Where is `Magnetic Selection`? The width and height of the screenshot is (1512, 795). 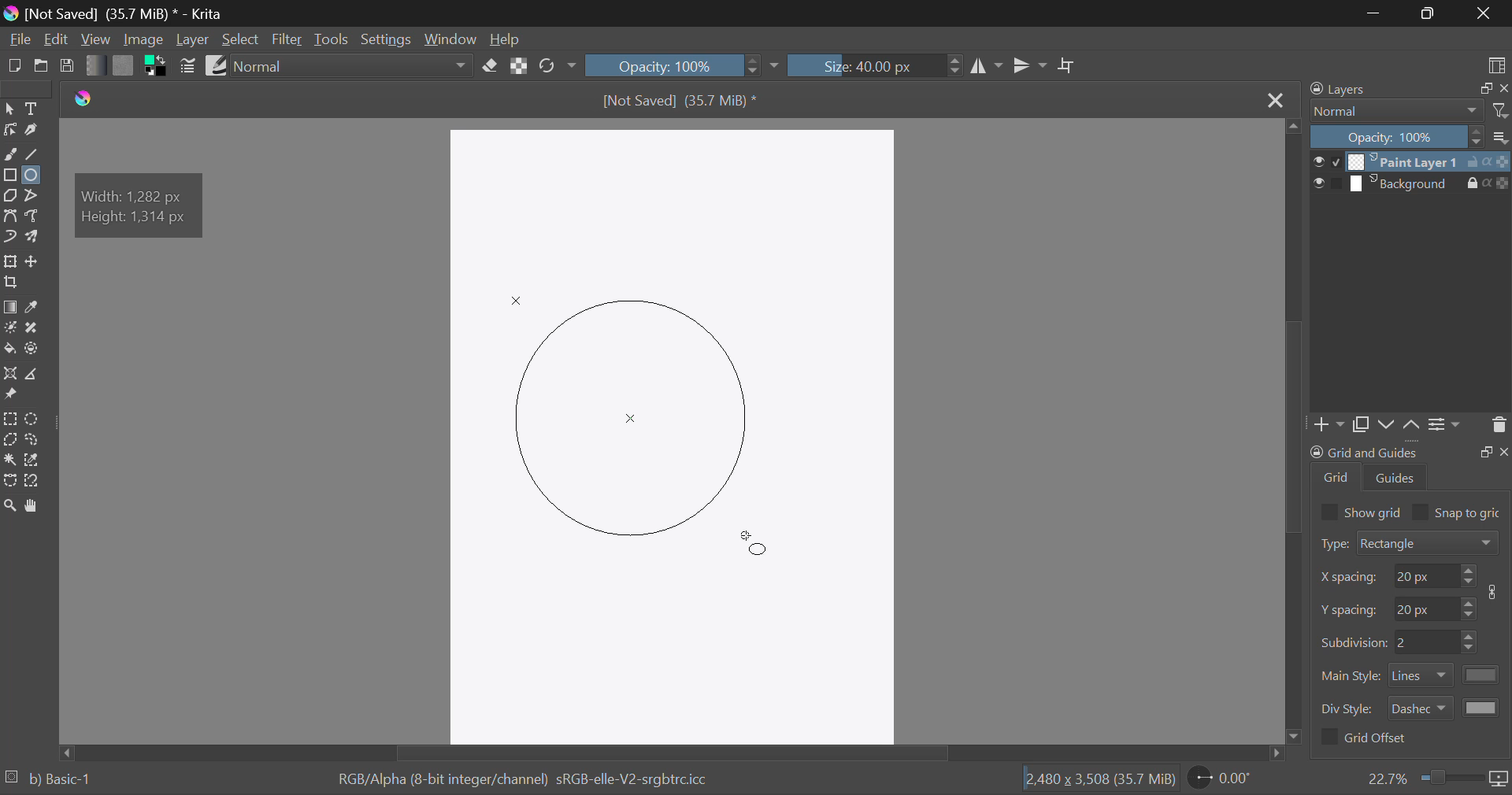 Magnetic Selection is located at coordinates (35, 480).